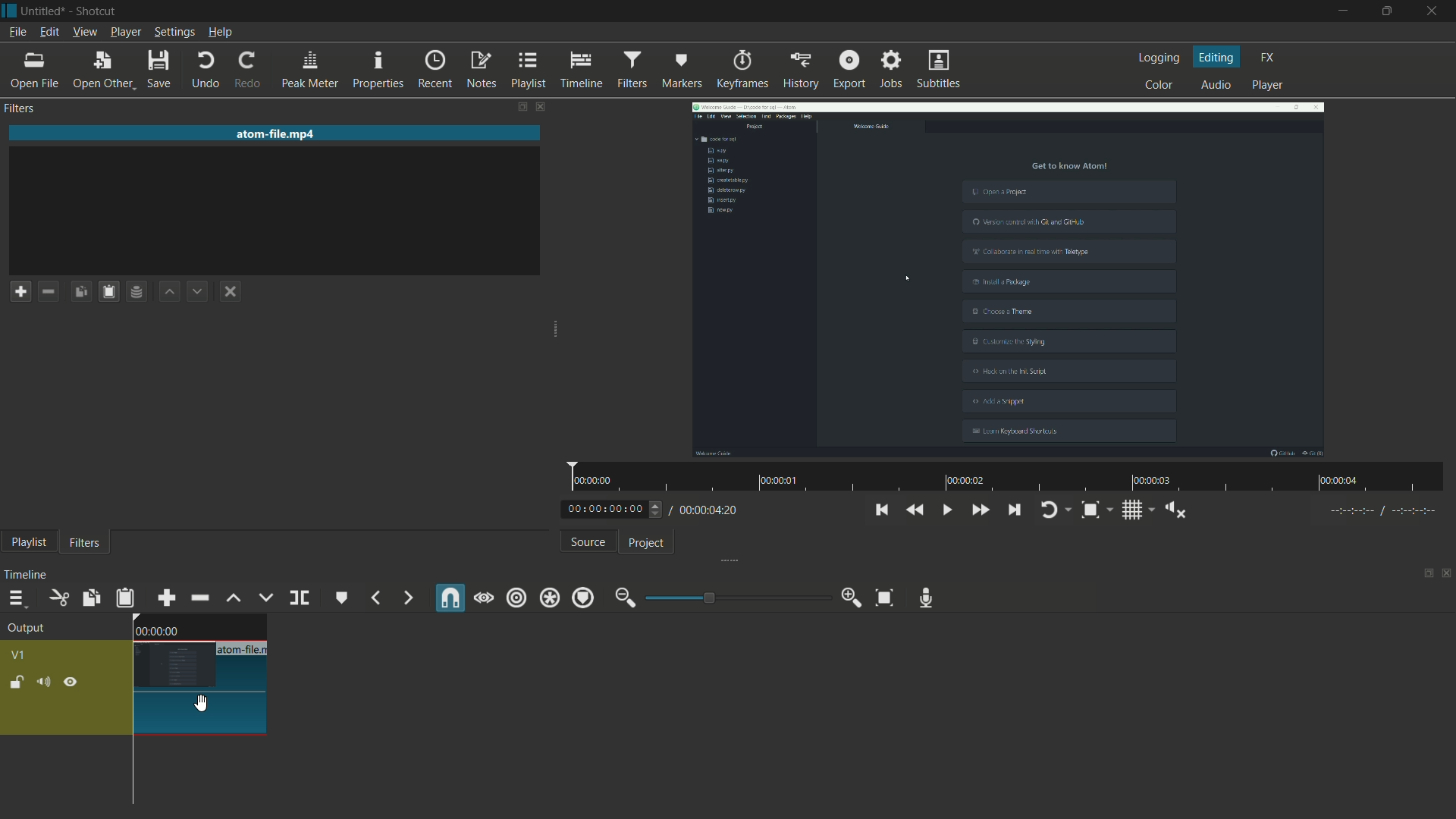 Image resolution: width=1456 pixels, height=819 pixels. What do you see at coordinates (1176, 510) in the screenshot?
I see `show volume control` at bounding box center [1176, 510].